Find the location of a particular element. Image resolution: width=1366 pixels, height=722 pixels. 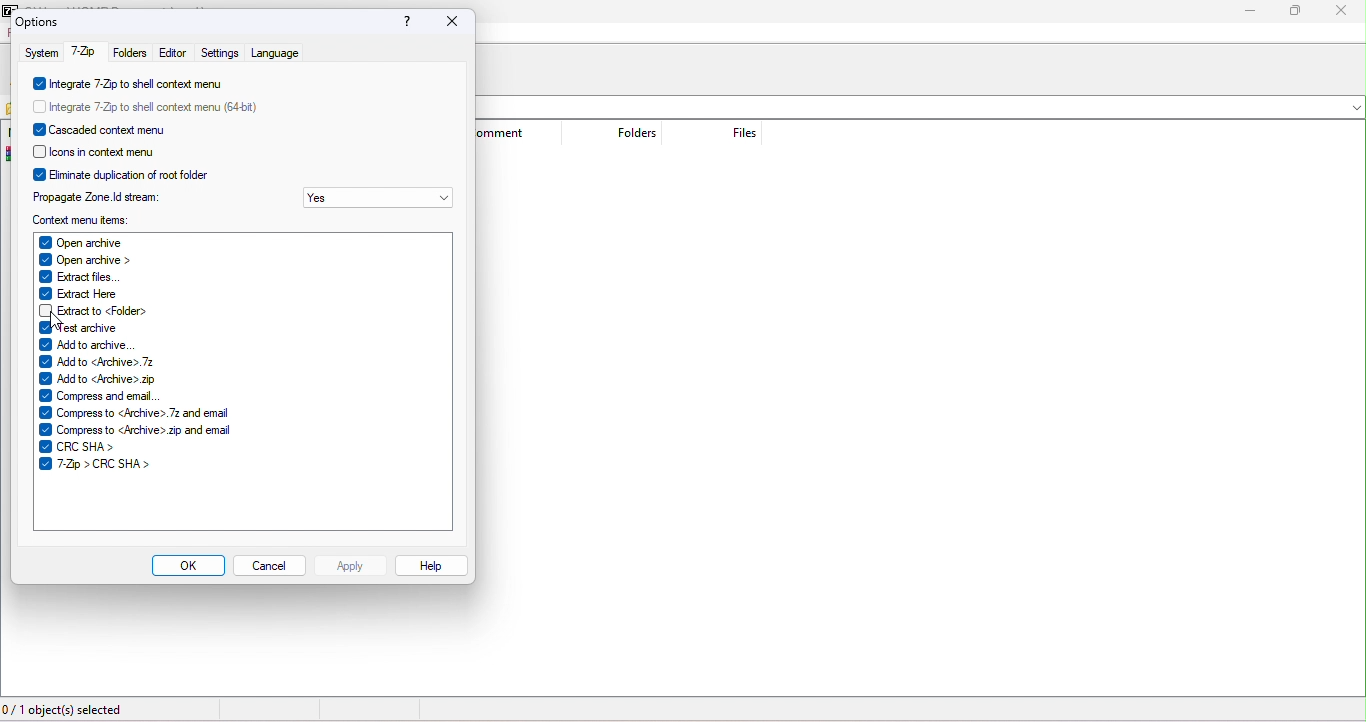

compress to <archive>.zip and email is located at coordinates (144, 430).